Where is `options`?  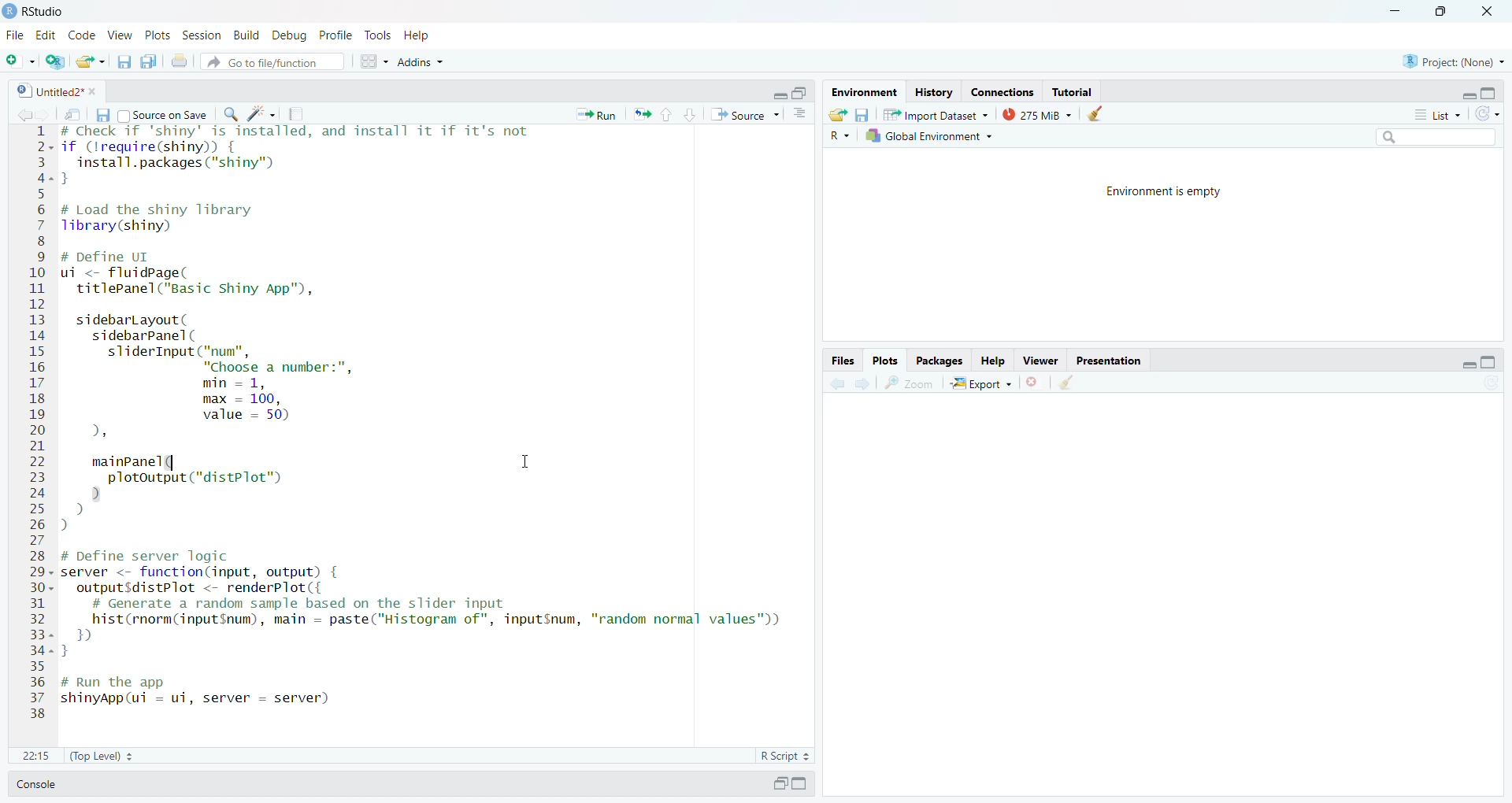
options is located at coordinates (374, 61).